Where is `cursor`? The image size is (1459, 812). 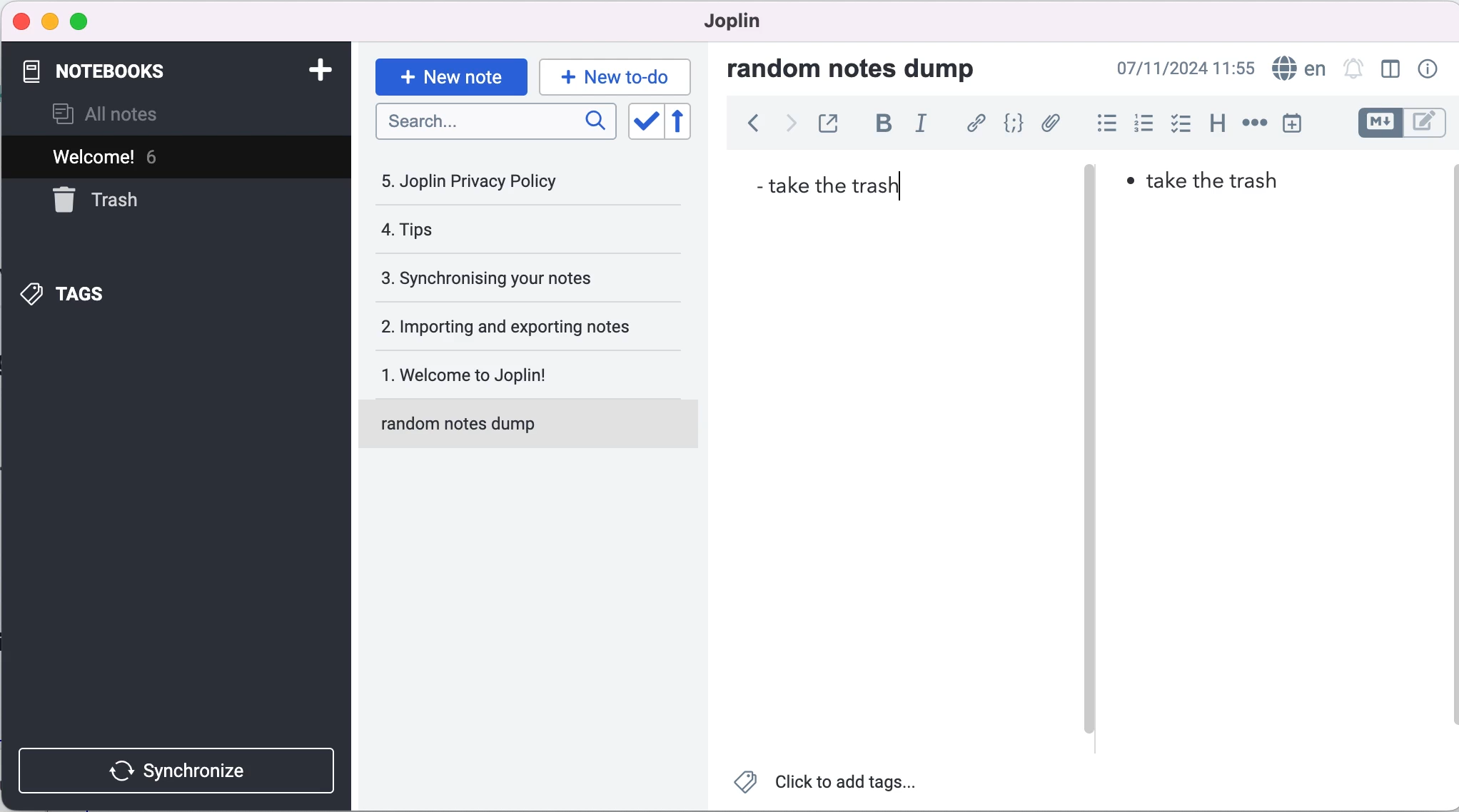 cursor is located at coordinates (905, 187).